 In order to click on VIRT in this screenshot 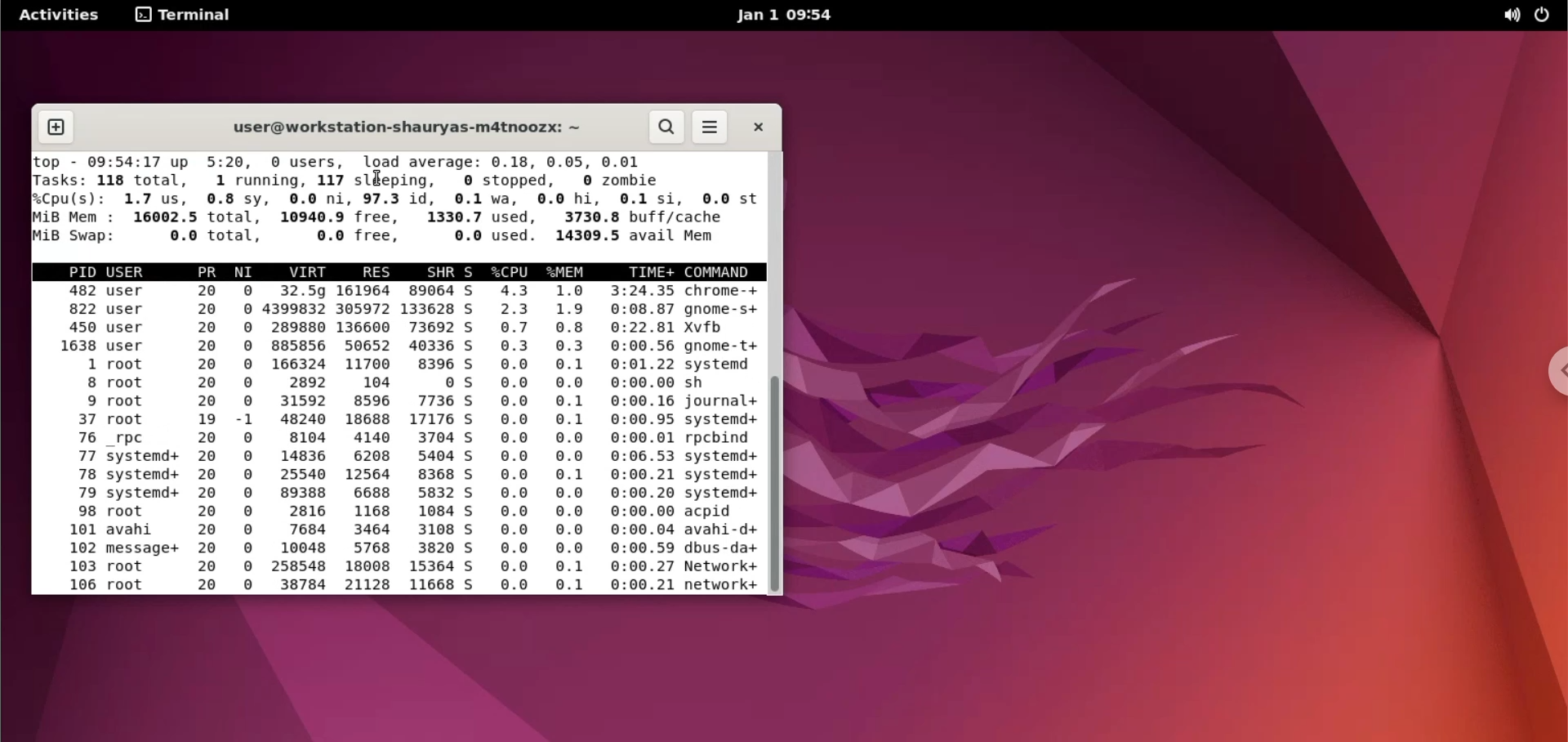, I will do `click(298, 440)`.